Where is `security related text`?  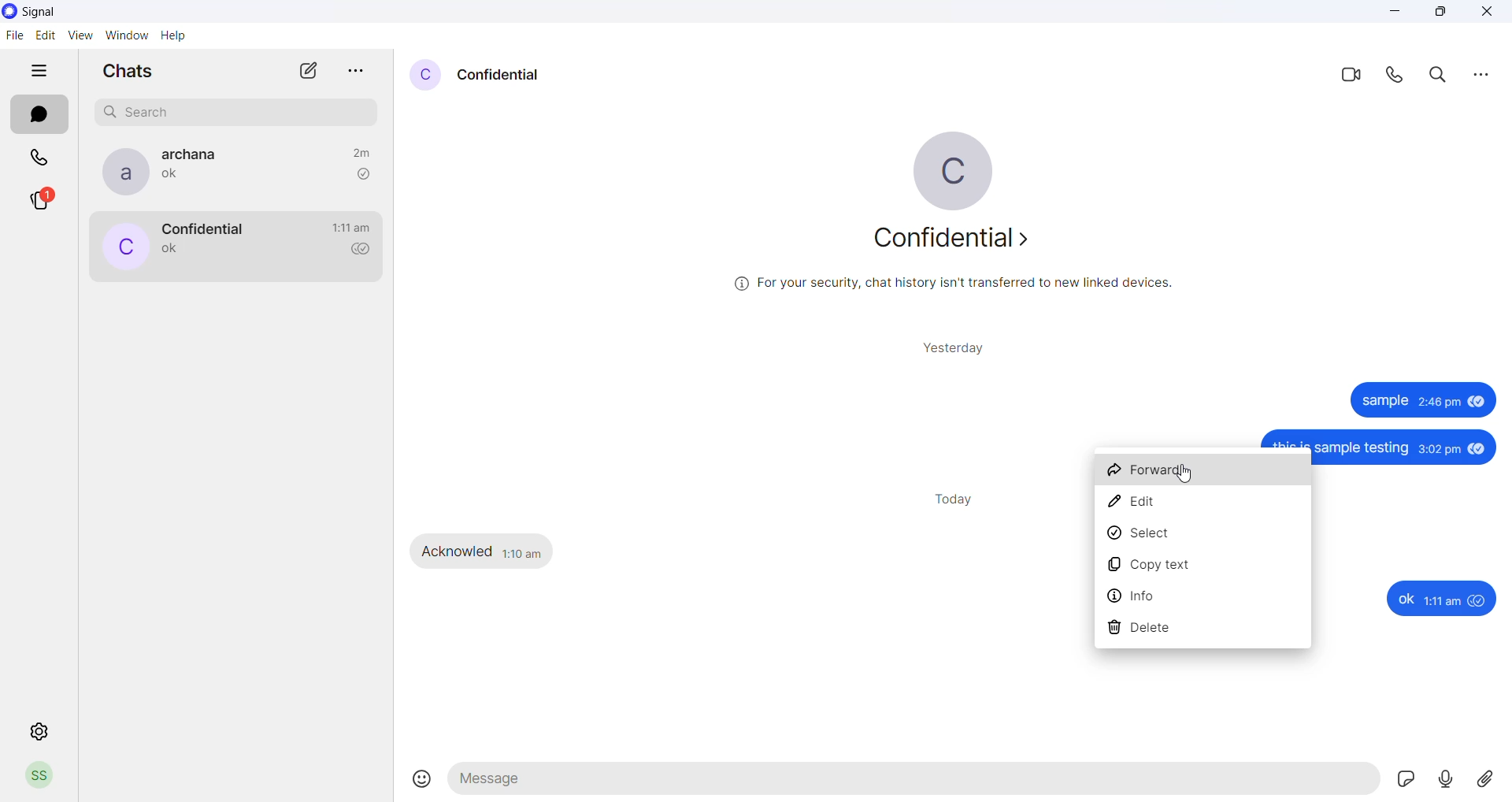
security related text is located at coordinates (968, 287).